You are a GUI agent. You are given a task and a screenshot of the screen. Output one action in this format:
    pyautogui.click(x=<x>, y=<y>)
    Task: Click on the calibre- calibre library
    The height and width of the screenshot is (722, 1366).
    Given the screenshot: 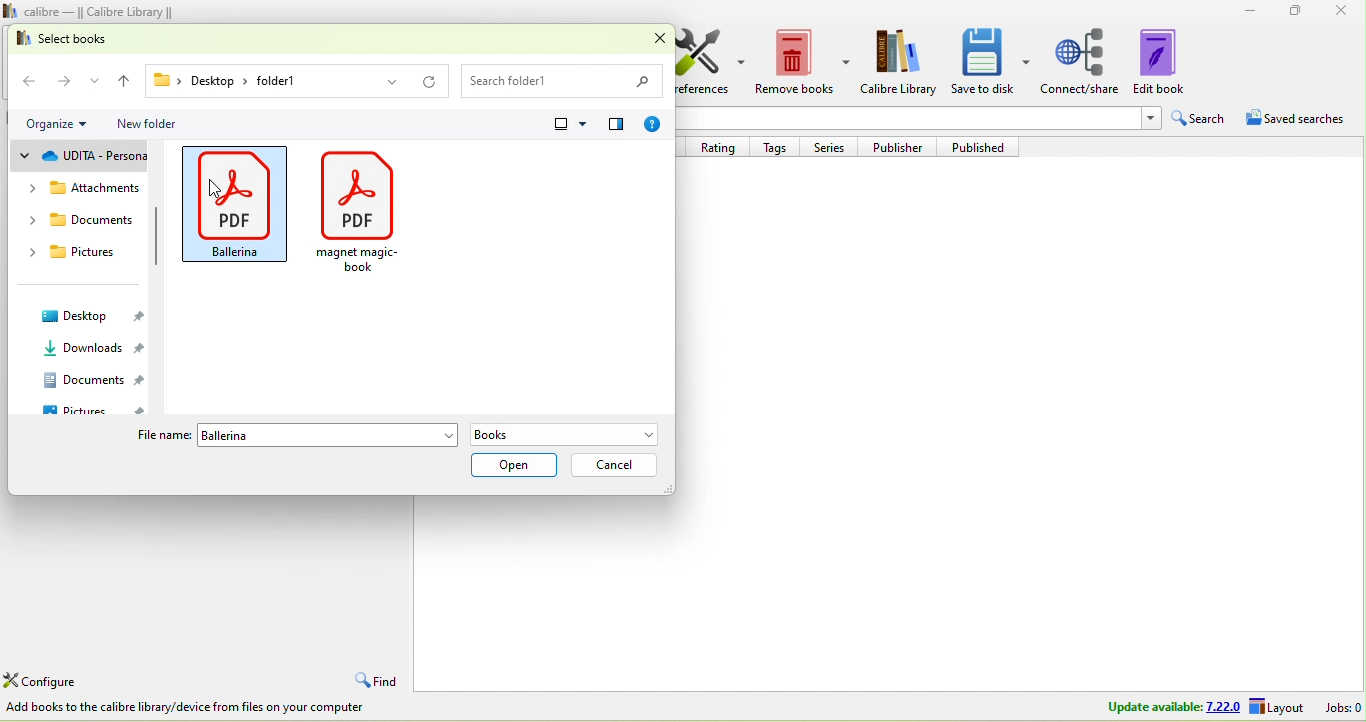 What is the action you would take?
    pyautogui.click(x=105, y=11)
    